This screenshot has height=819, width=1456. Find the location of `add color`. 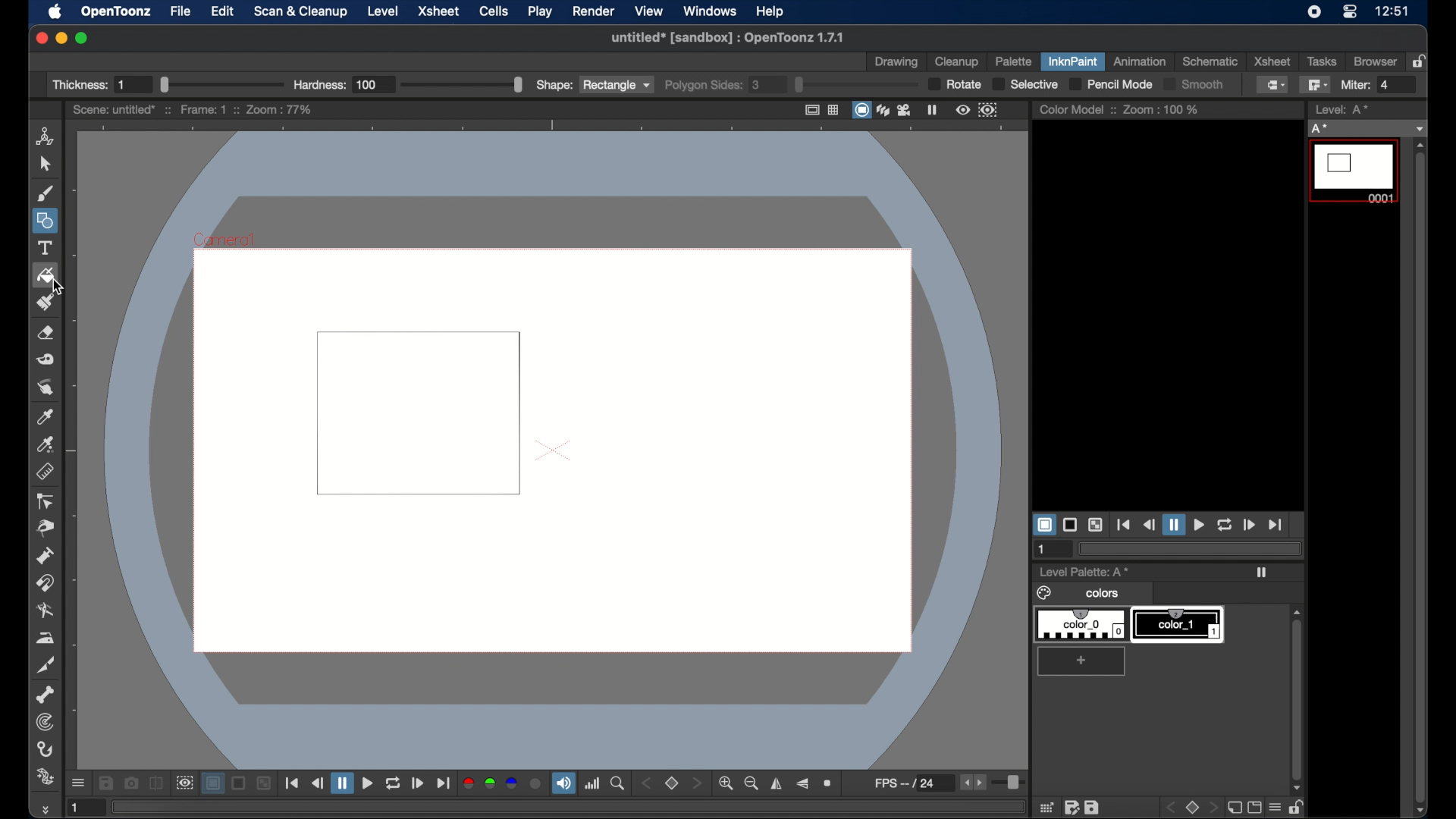

add color is located at coordinates (1083, 661).